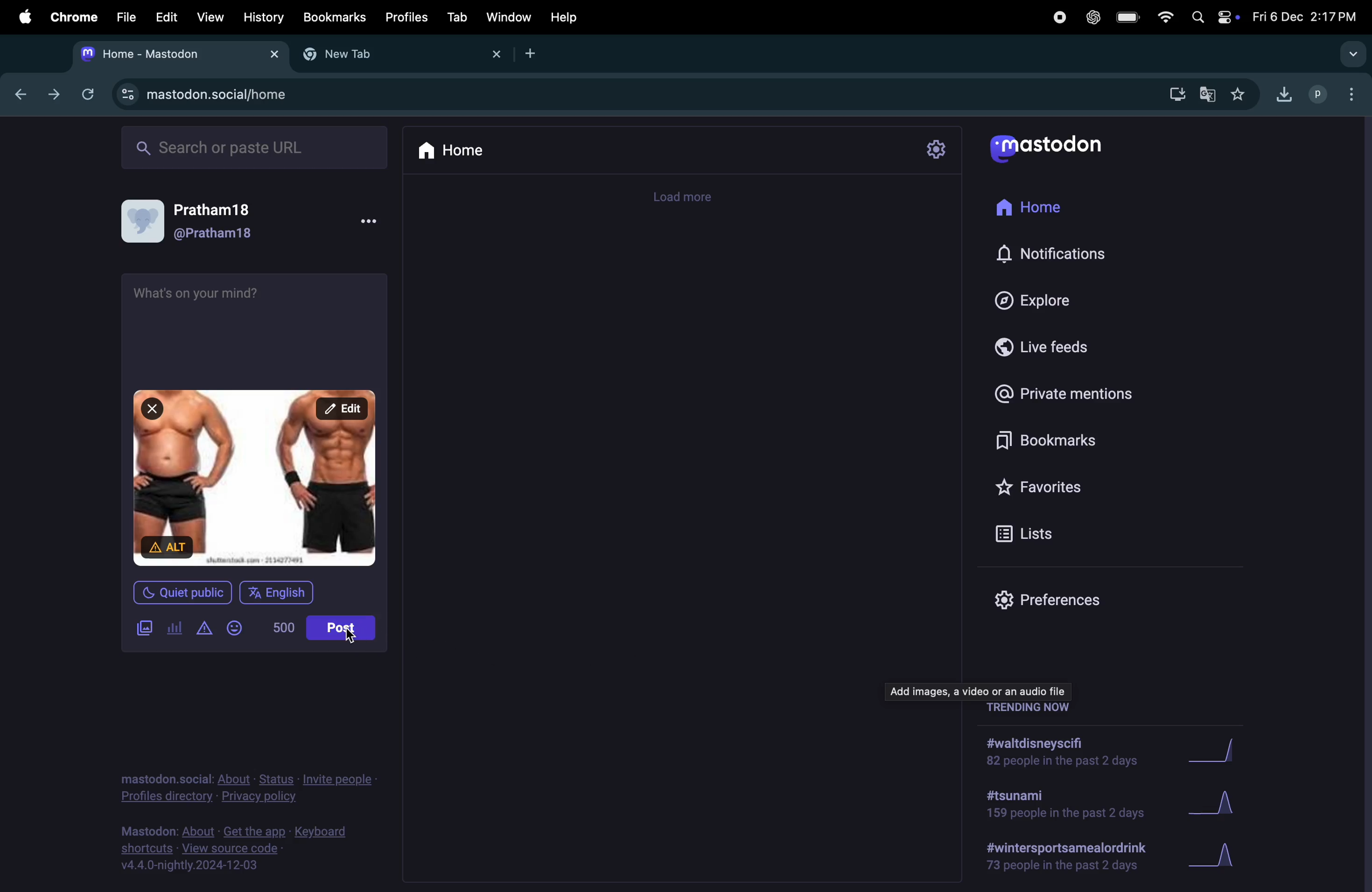 Image resolution: width=1372 pixels, height=892 pixels. I want to click on record, so click(1058, 17).